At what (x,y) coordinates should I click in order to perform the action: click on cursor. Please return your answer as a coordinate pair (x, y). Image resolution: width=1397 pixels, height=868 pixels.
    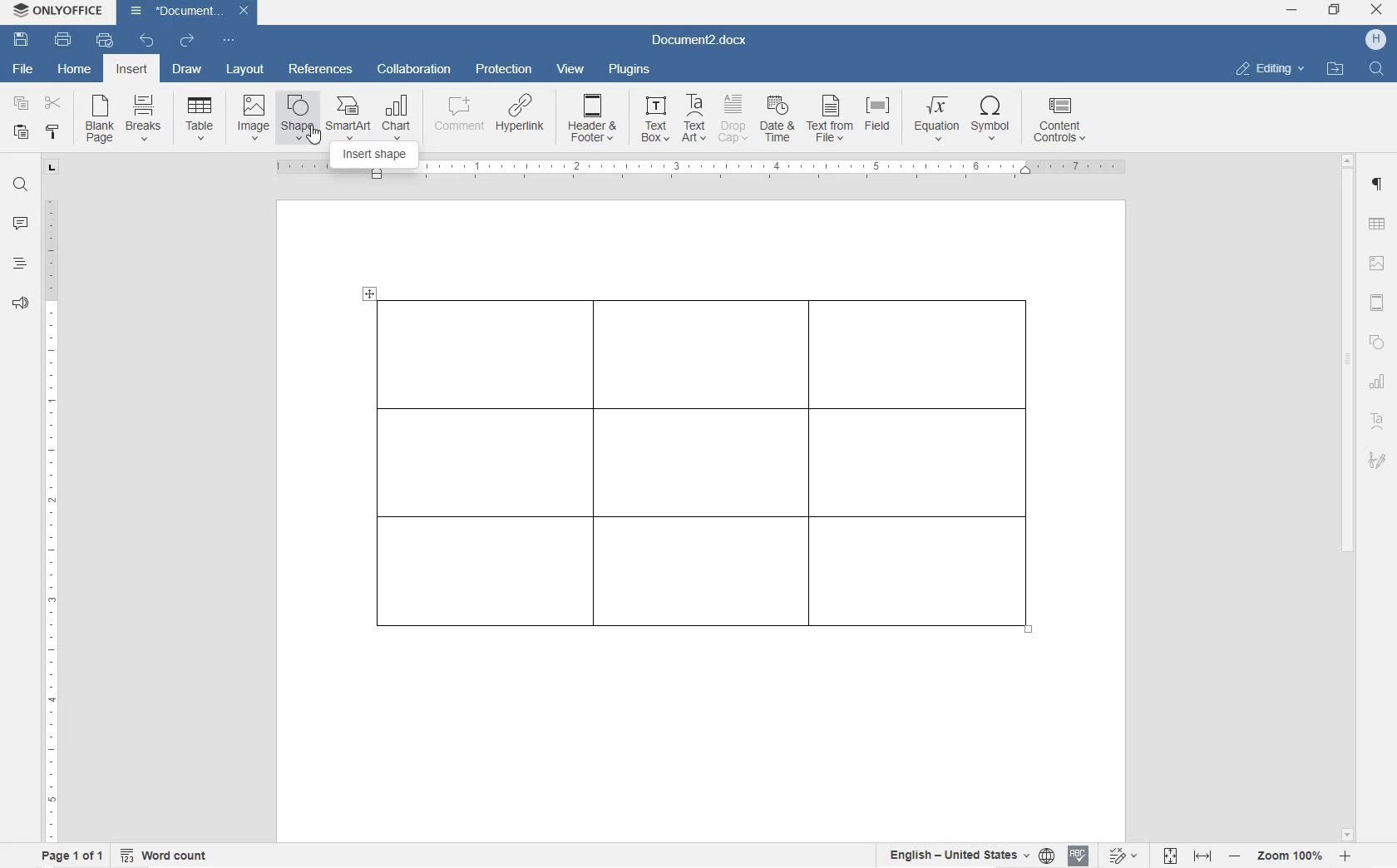
    Looking at the image, I should click on (304, 137).